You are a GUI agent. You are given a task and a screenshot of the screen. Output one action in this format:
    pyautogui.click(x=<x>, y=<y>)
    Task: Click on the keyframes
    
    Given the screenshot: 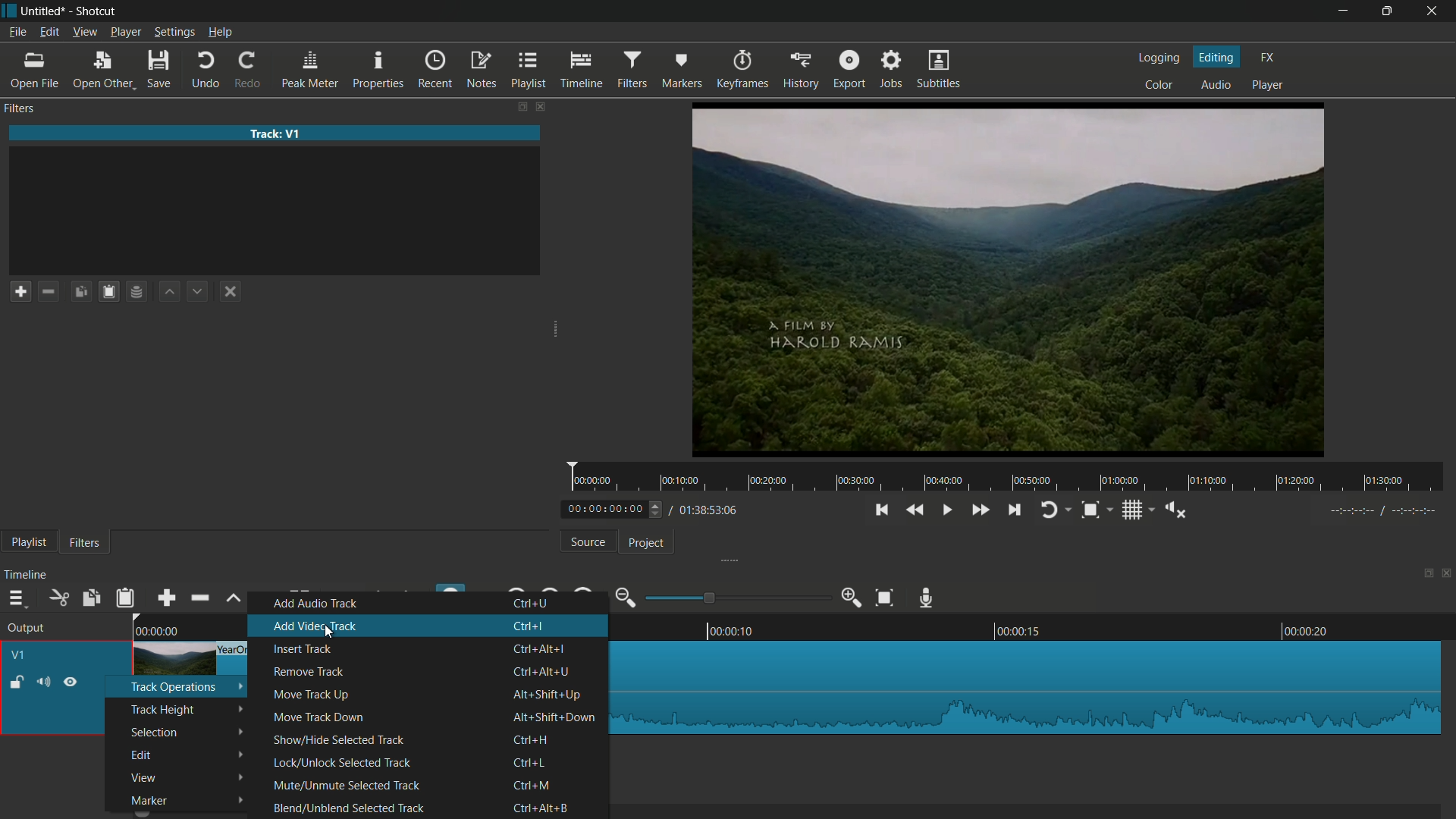 What is the action you would take?
    pyautogui.click(x=740, y=70)
    